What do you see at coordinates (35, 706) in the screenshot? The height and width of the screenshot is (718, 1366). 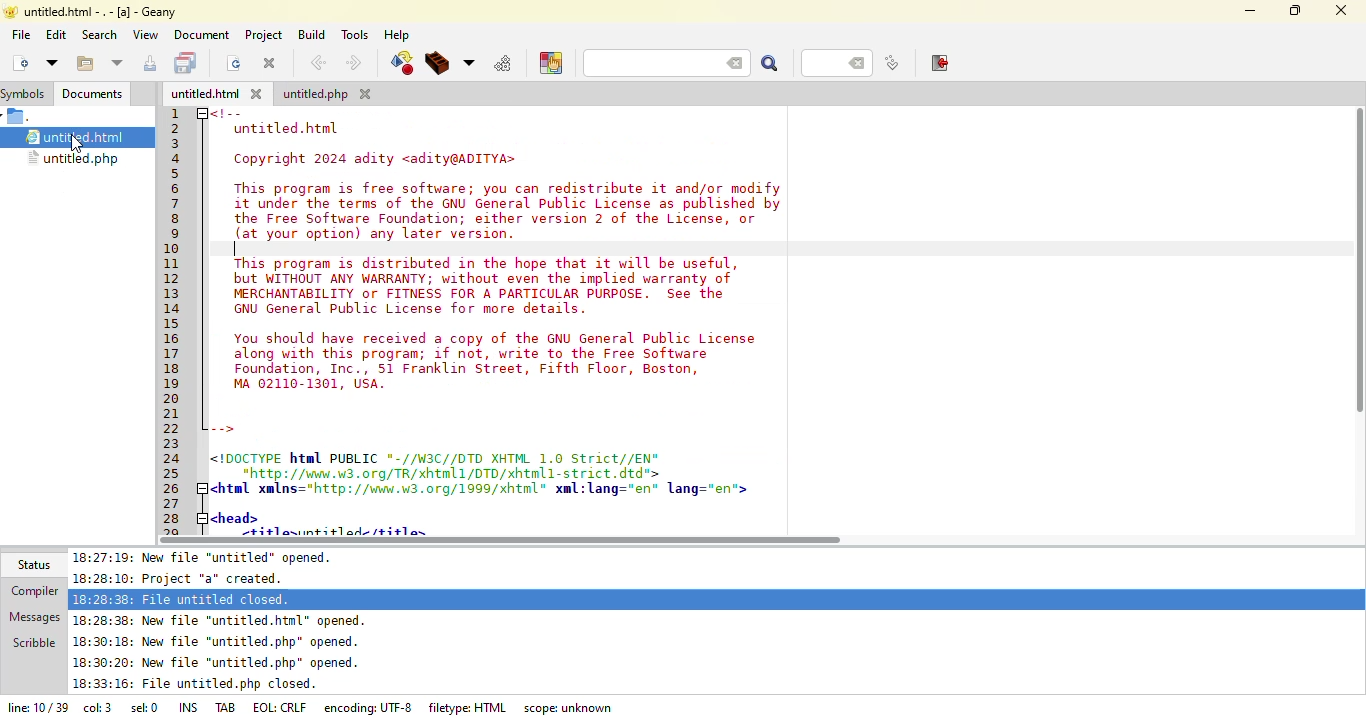 I see `line 10/39` at bounding box center [35, 706].